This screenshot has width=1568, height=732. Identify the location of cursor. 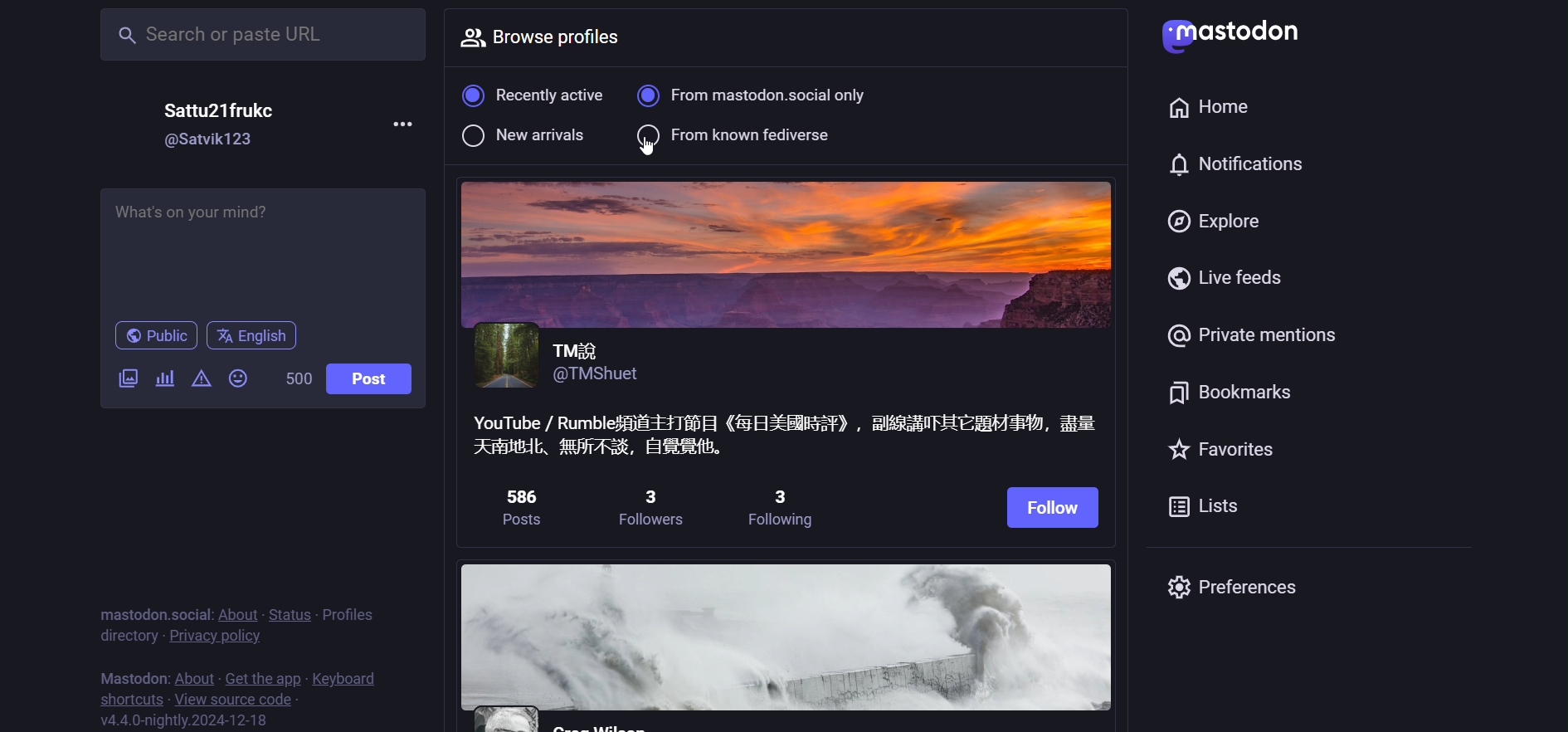
(660, 148).